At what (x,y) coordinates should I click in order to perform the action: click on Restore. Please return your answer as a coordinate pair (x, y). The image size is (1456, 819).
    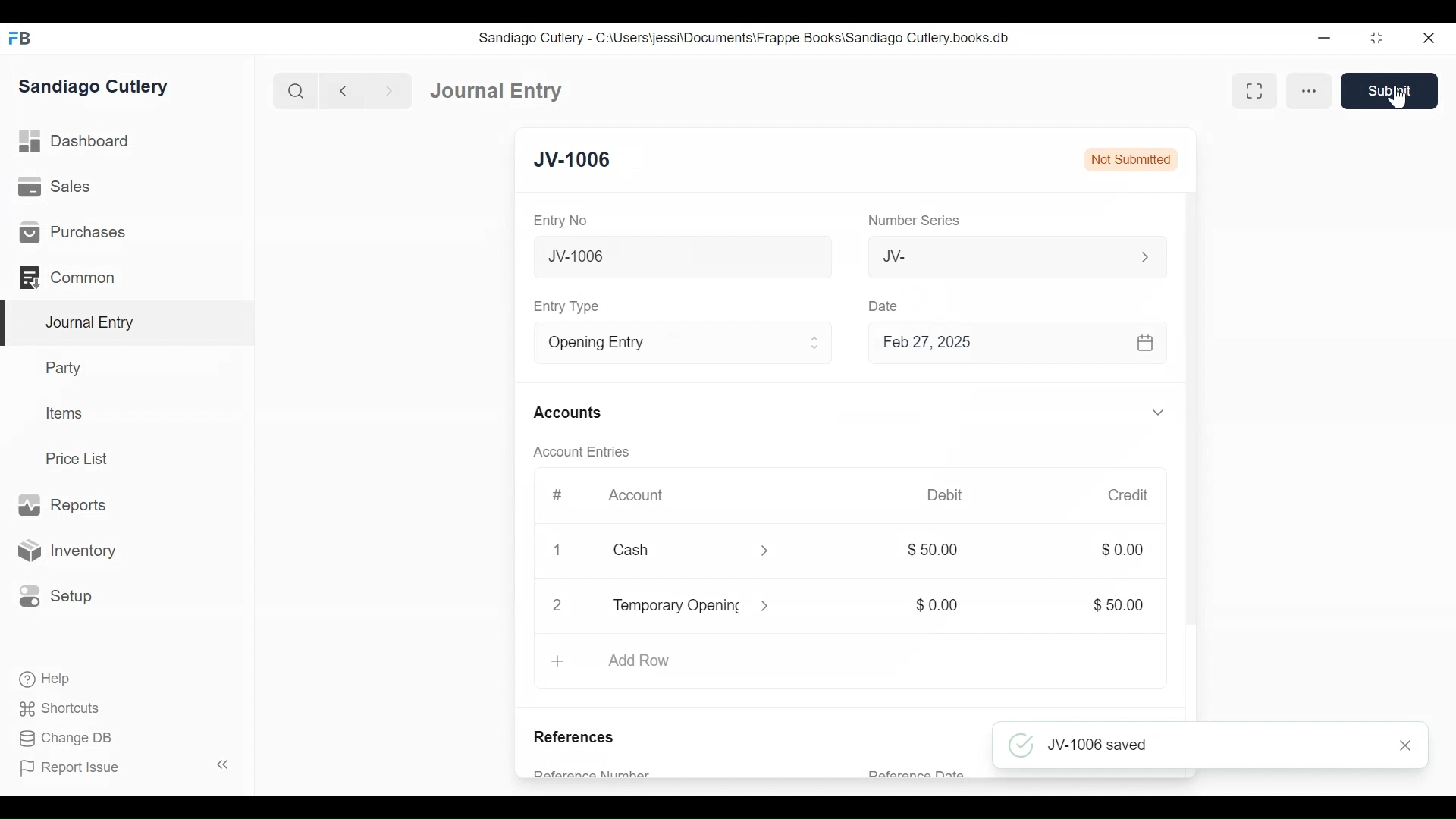
    Looking at the image, I should click on (1376, 37).